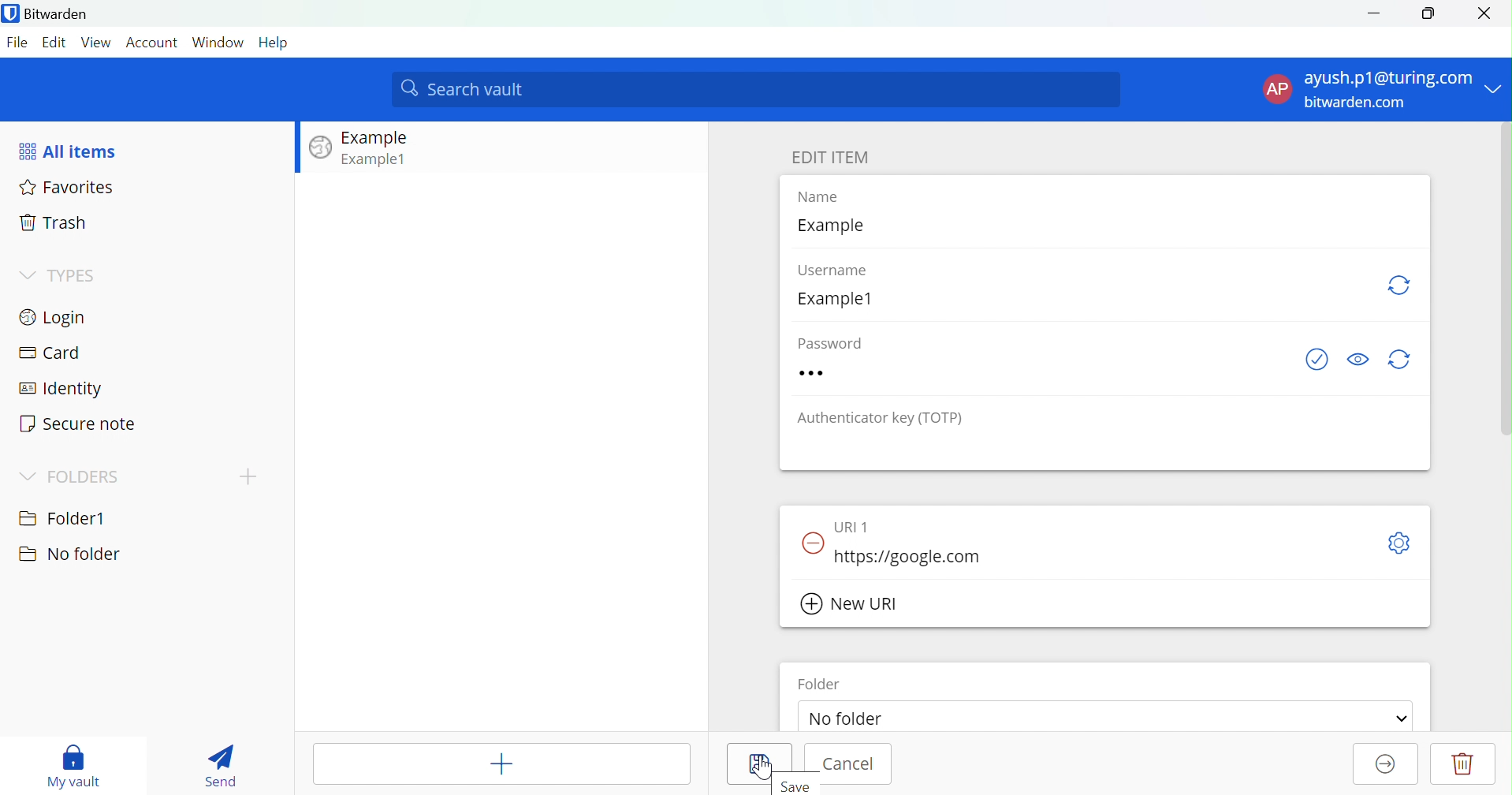  I want to click on Help, so click(275, 42).